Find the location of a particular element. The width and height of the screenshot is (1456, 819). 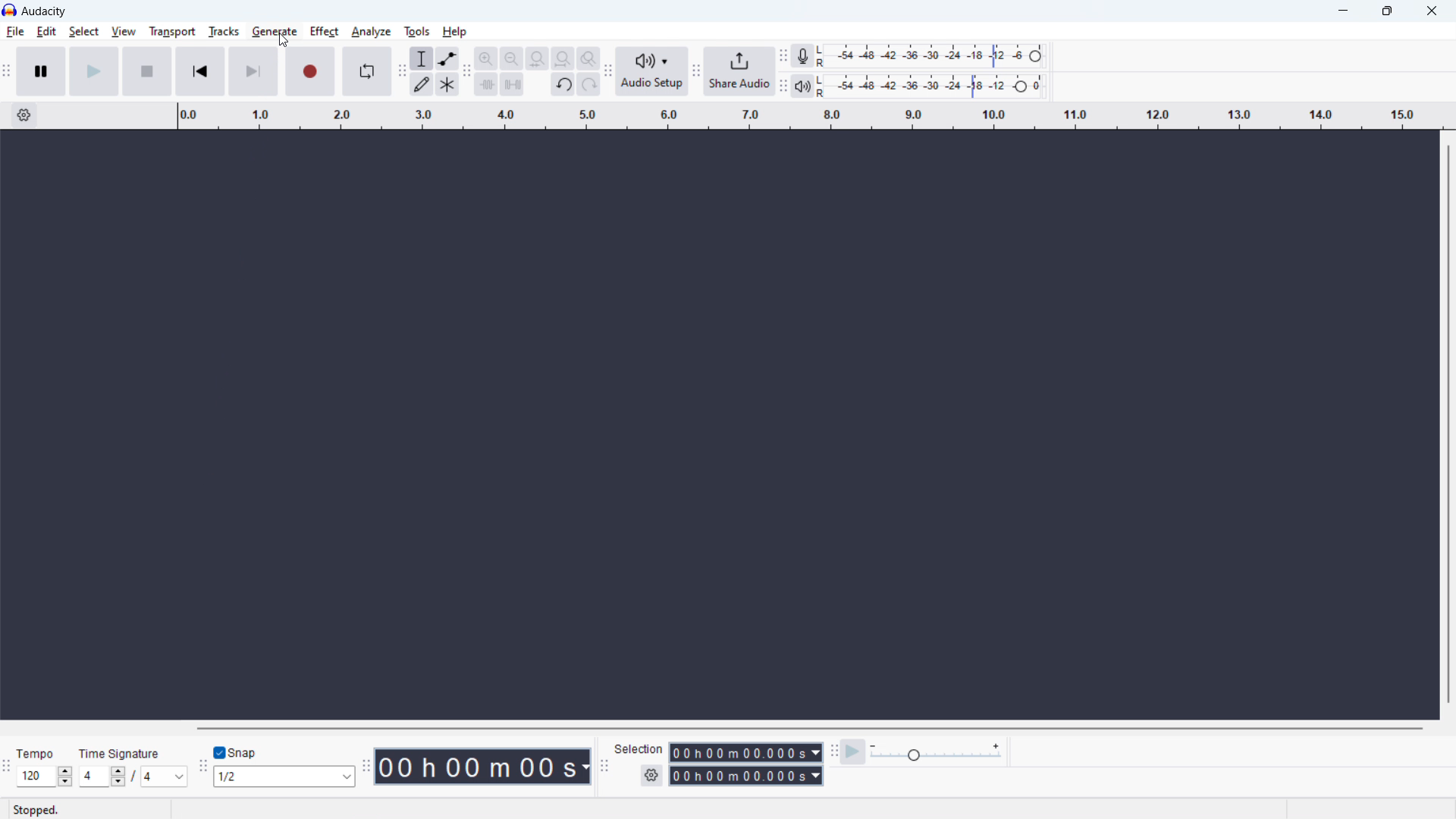

play at speed toolbar is located at coordinates (833, 752).